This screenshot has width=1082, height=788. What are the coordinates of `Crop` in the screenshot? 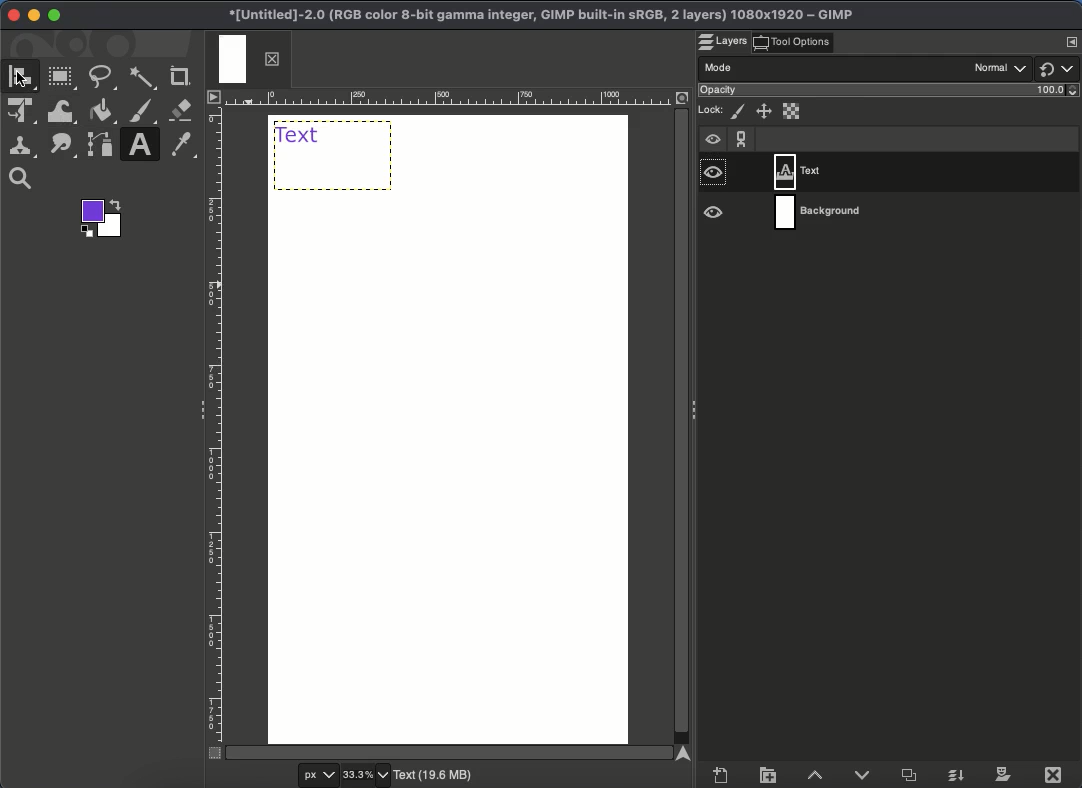 It's located at (180, 76).